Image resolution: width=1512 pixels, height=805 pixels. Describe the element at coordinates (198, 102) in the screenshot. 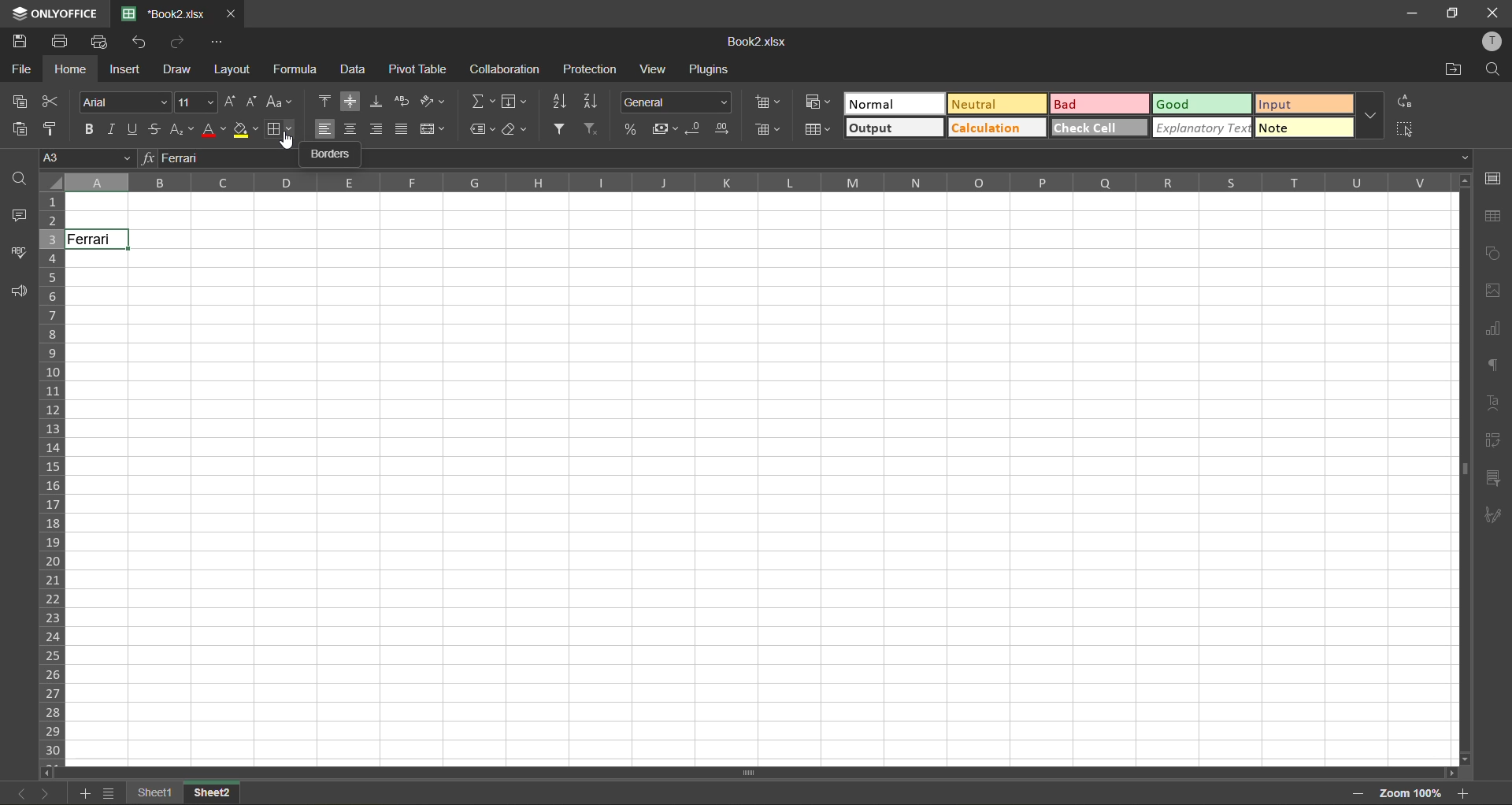

I see `font size` at that location.